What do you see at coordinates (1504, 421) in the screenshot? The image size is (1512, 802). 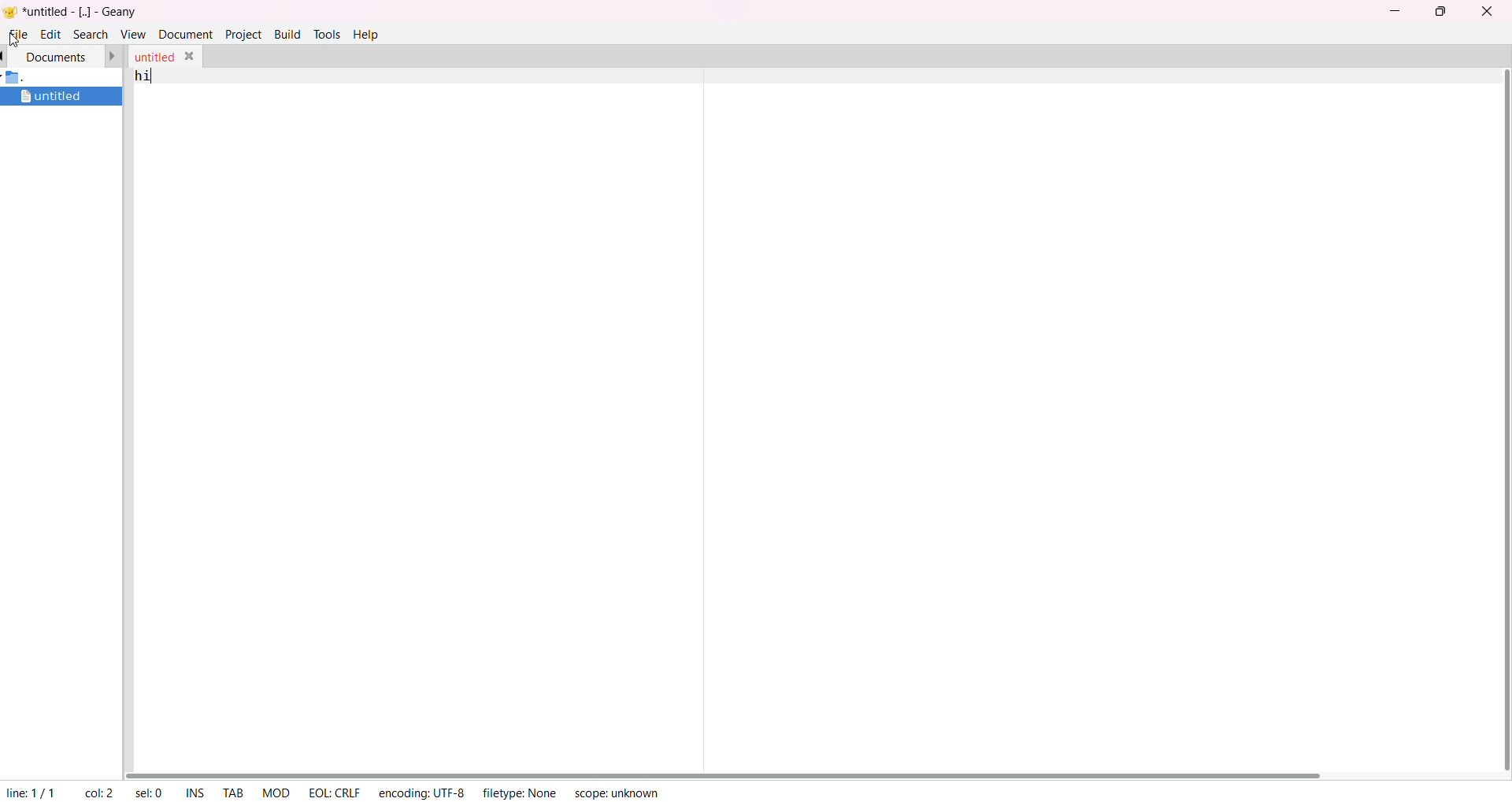 I see `scroll bar` at bounding box center [1504, 421].